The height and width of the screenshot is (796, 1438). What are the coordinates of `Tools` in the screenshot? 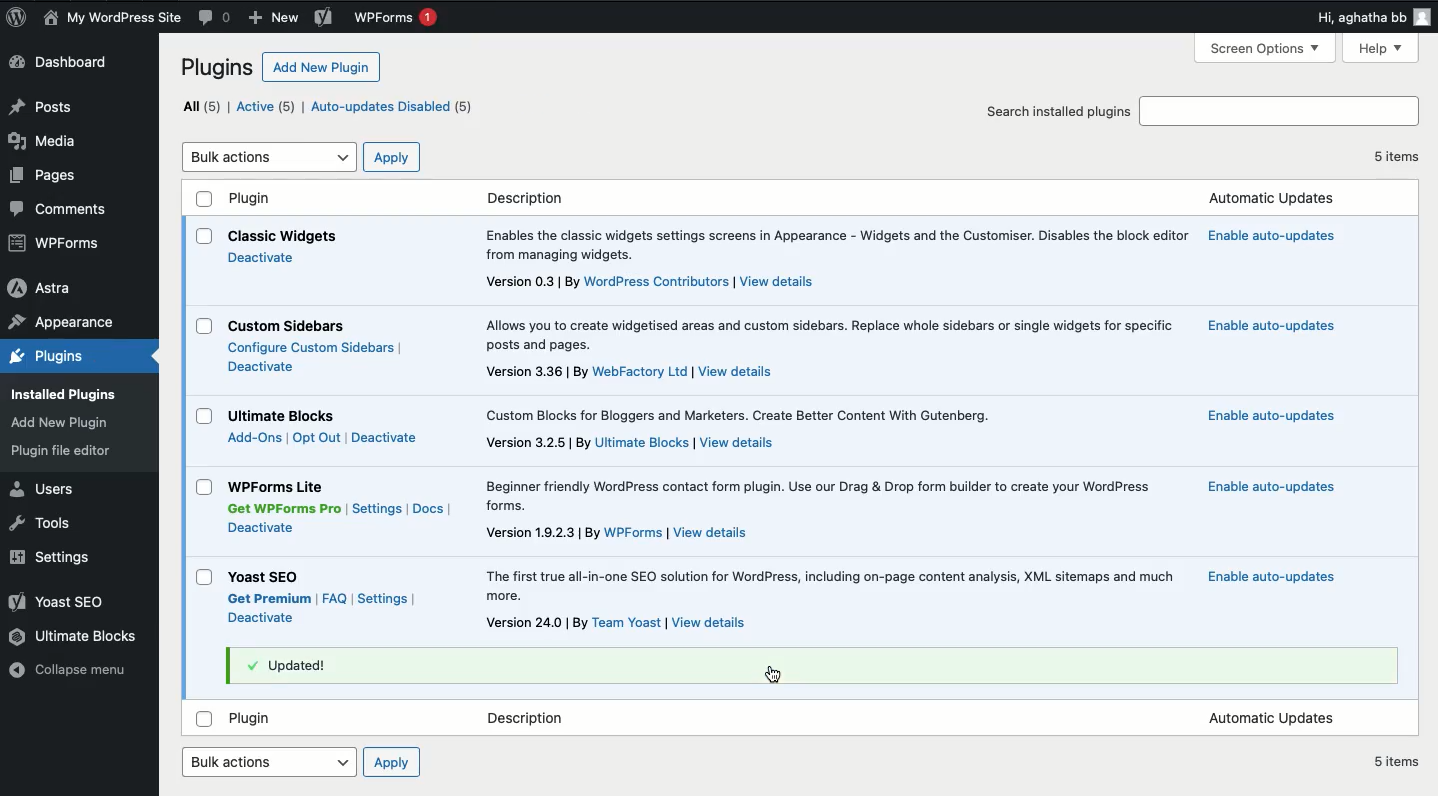 It's located at (48, 524).